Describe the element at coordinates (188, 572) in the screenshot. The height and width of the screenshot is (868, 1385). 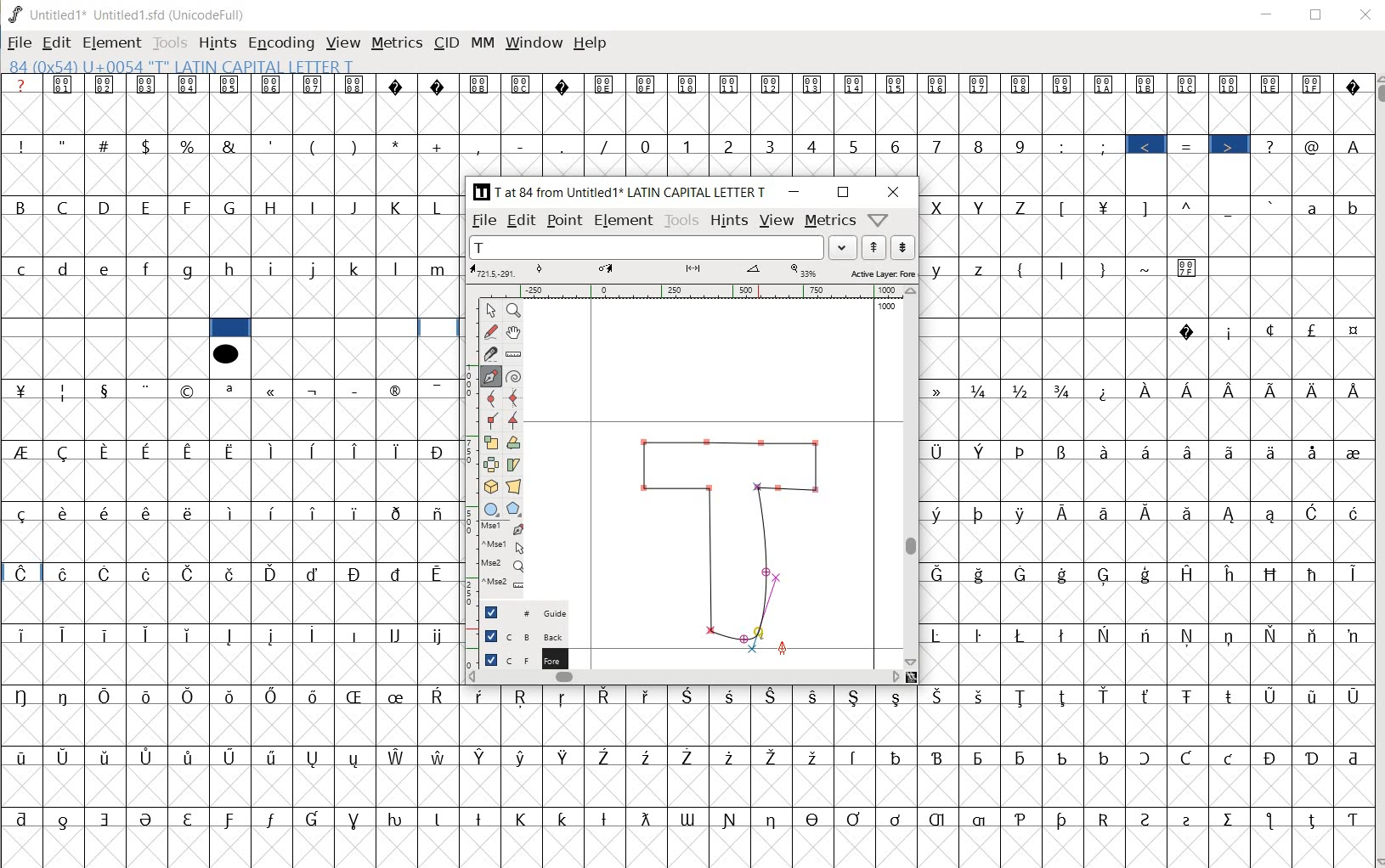
I see `Symbol` at that location.